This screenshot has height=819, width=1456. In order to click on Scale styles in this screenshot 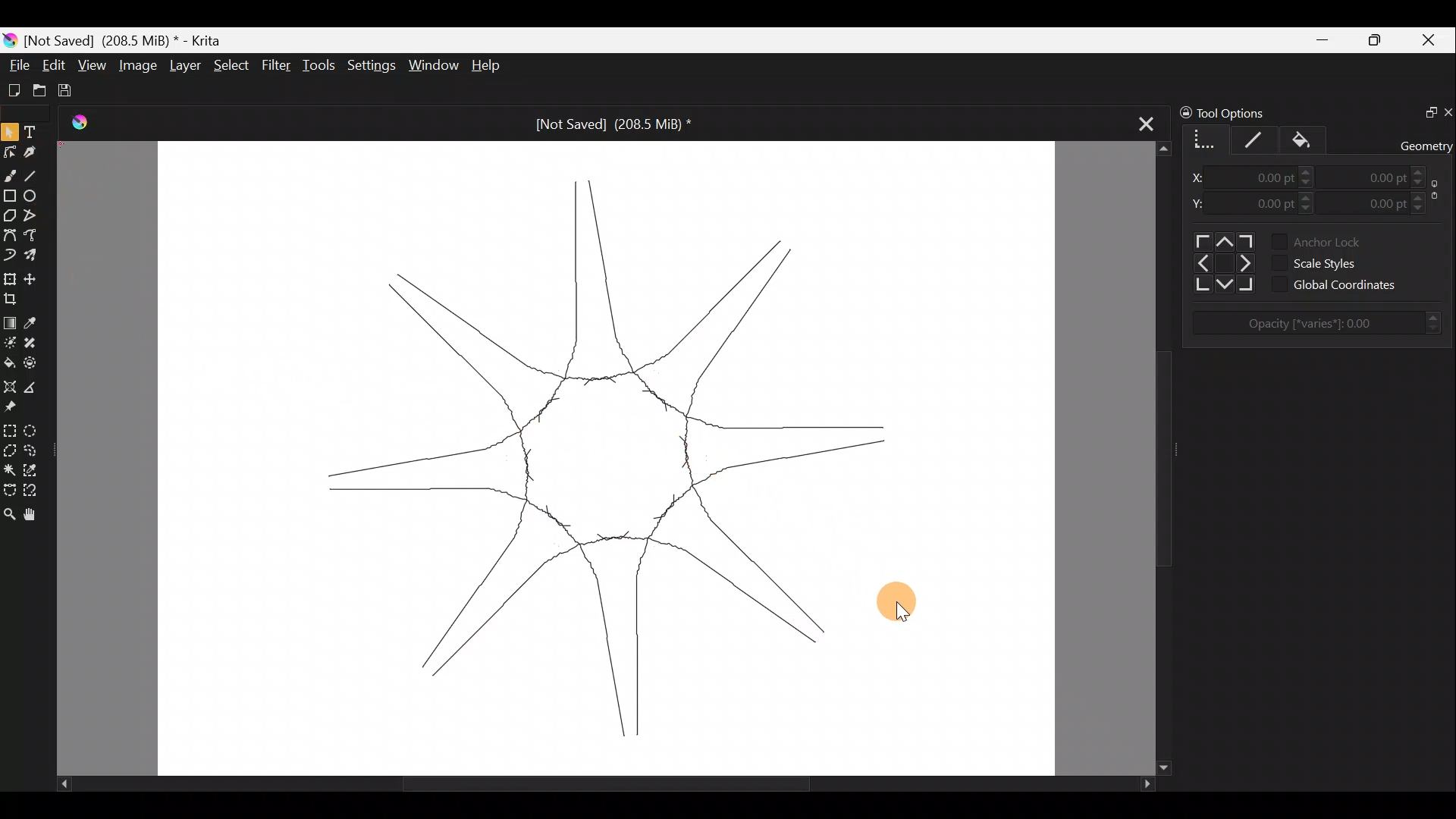, I will do `click(1339, 262)`.